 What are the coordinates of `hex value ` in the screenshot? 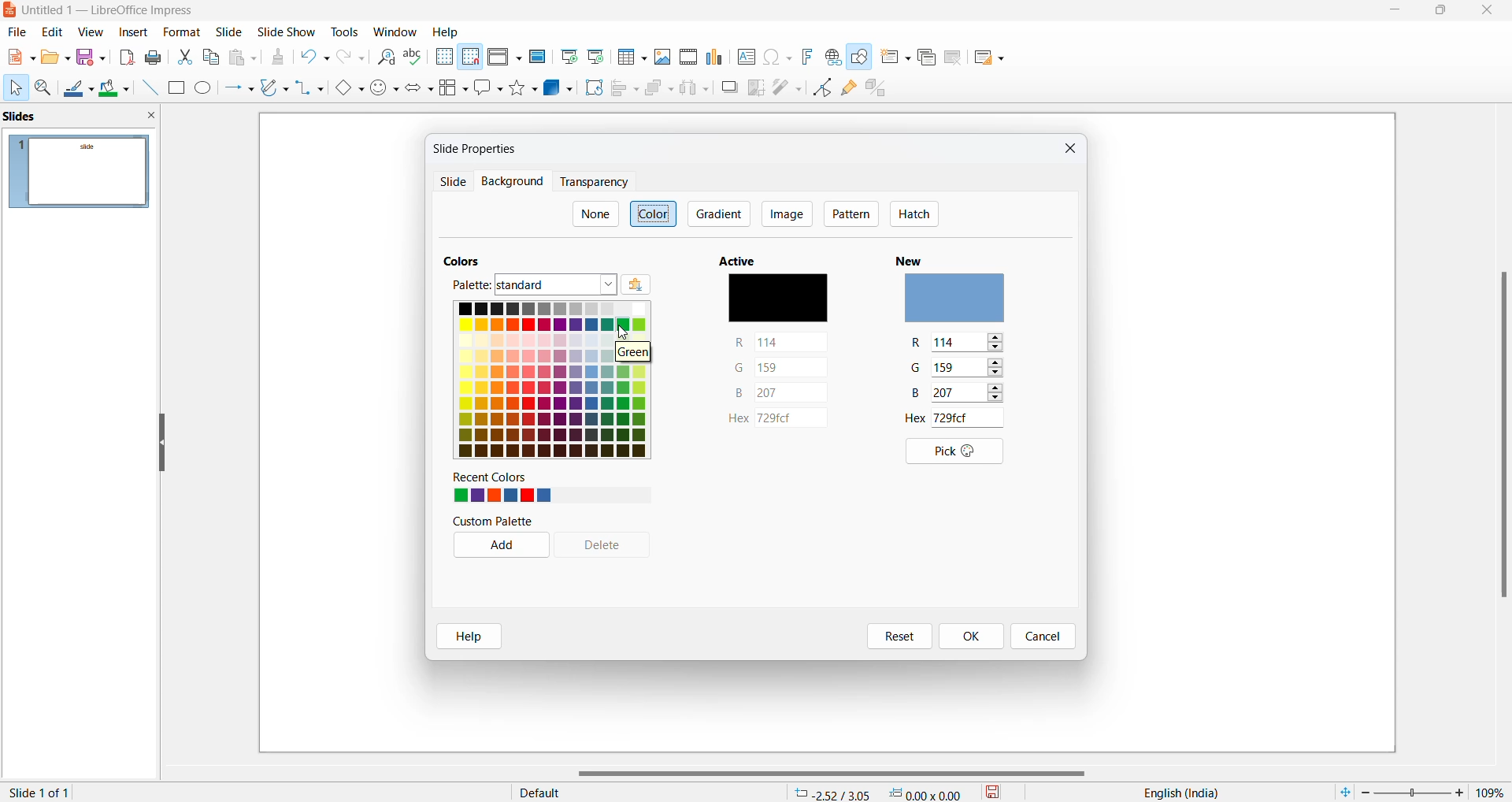 It's located at (917, 418).